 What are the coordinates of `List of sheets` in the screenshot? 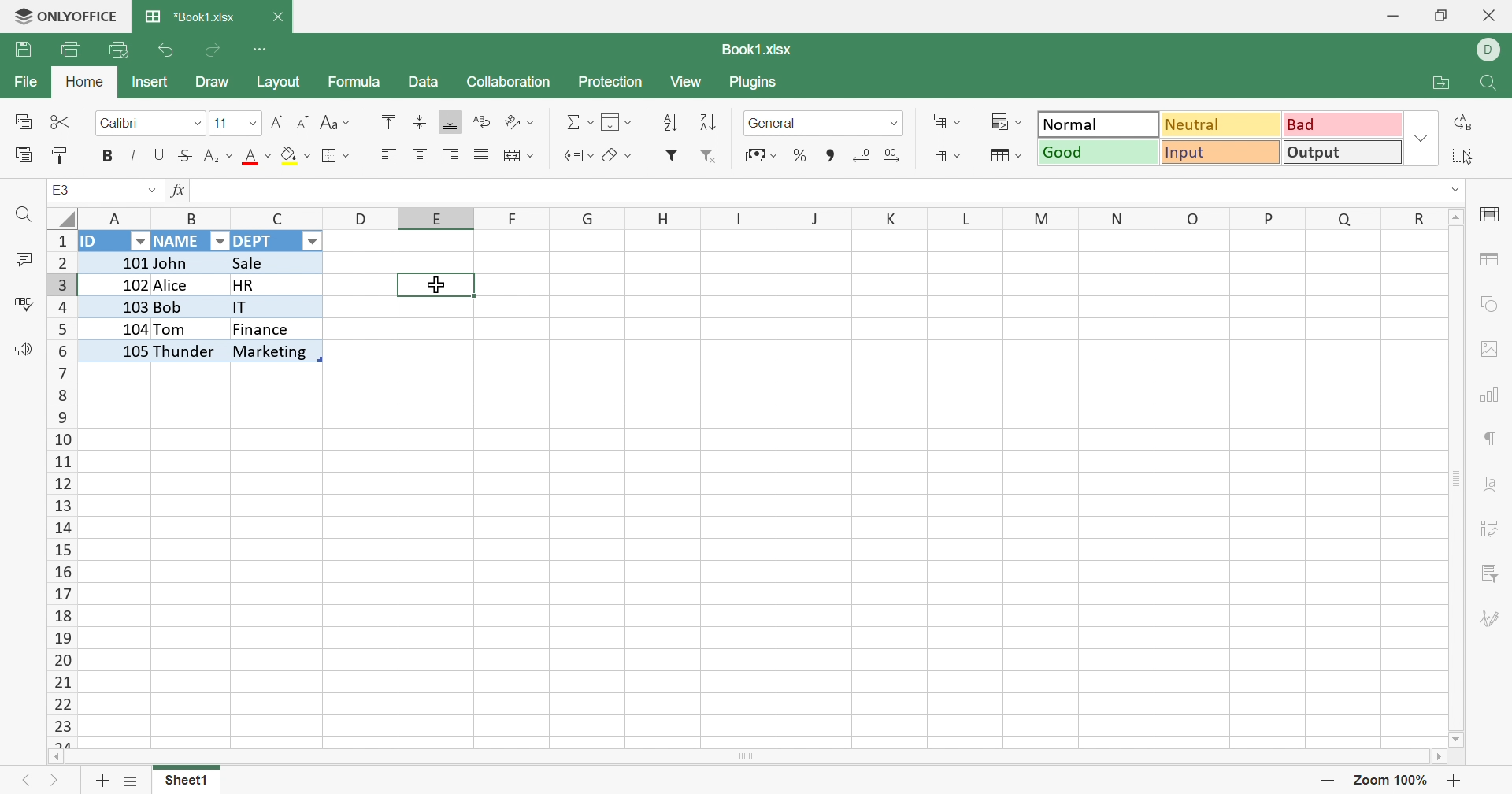 It's located at (135, 782).